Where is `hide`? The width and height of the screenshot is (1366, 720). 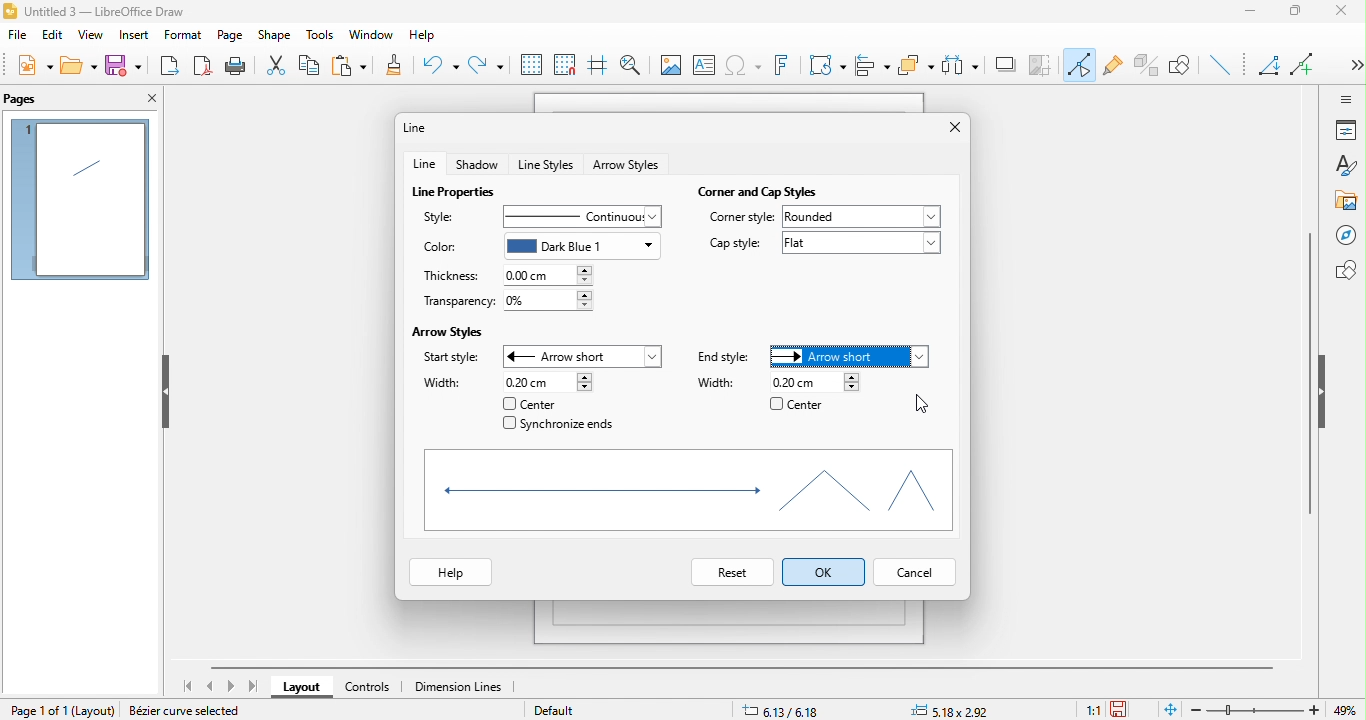
hide is located at coordinates (1325, 392).